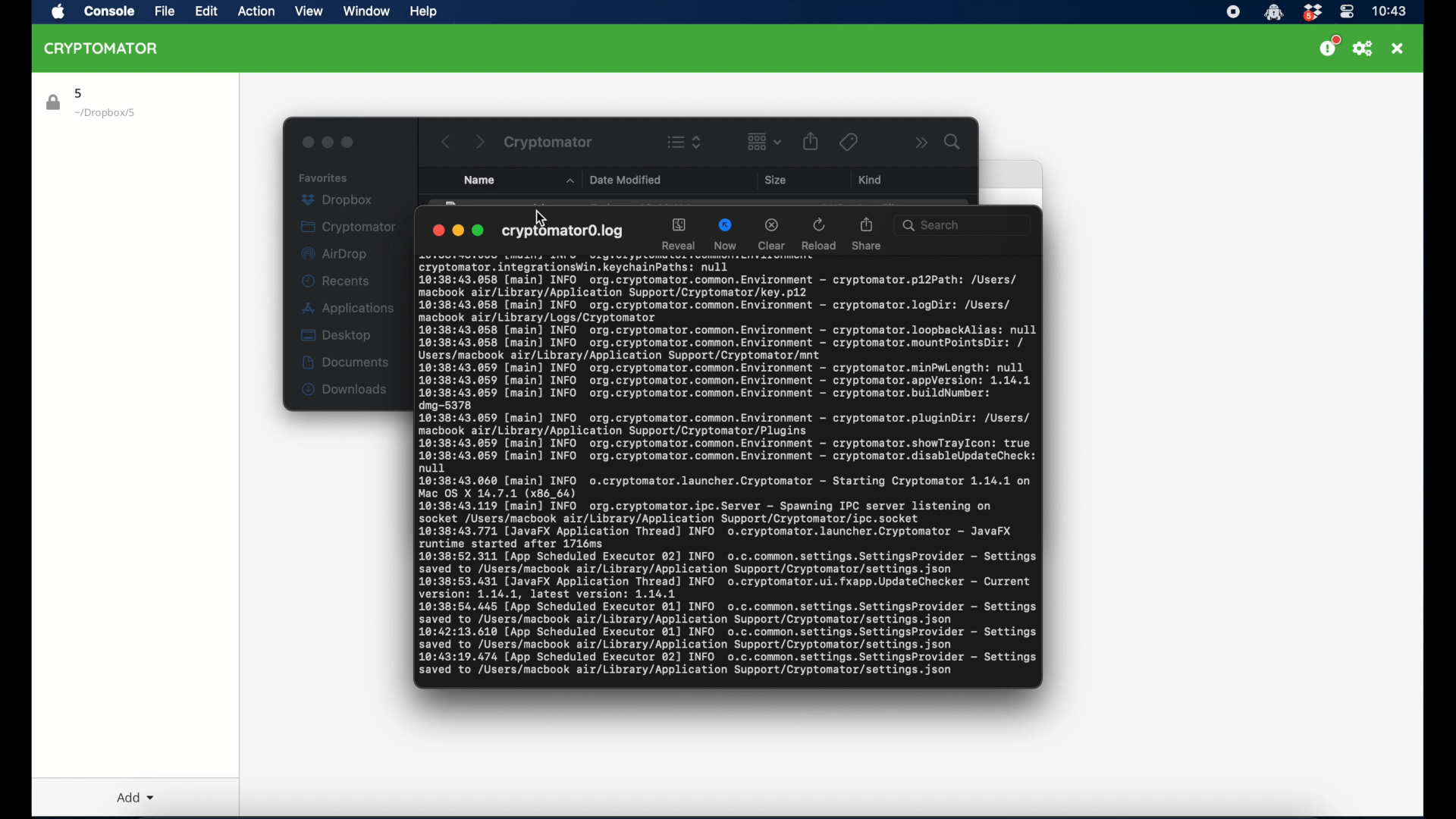 The width and height of the screenshot is (1456, 819). What do you see at coordinates (480, 180) in the screenshot?
I see `name` at bounding box center [480, 180].